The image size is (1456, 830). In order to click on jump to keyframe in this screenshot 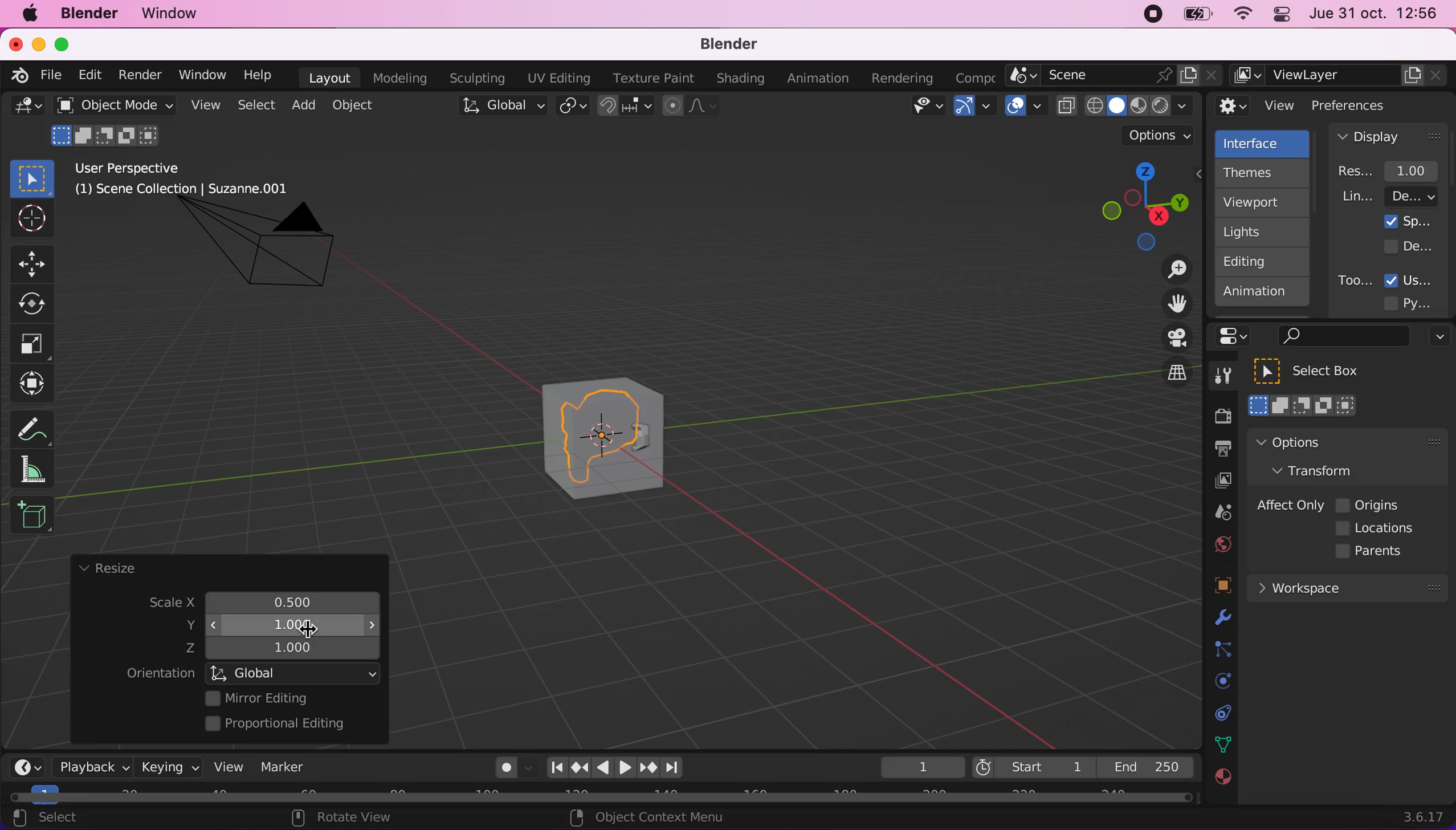, I will do `click(580, 767)`.